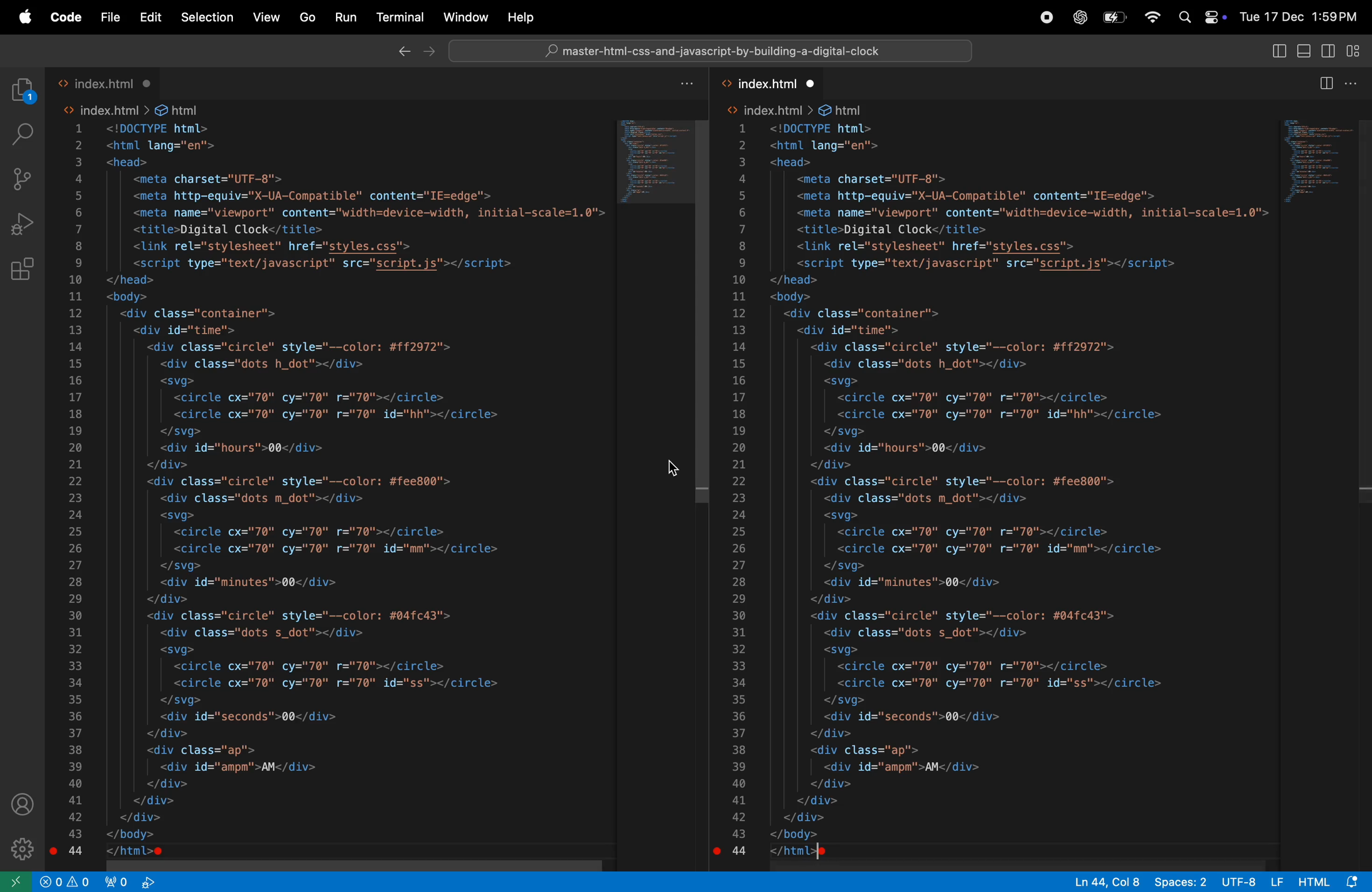  I want to click on apple menu, so click(24, 18).